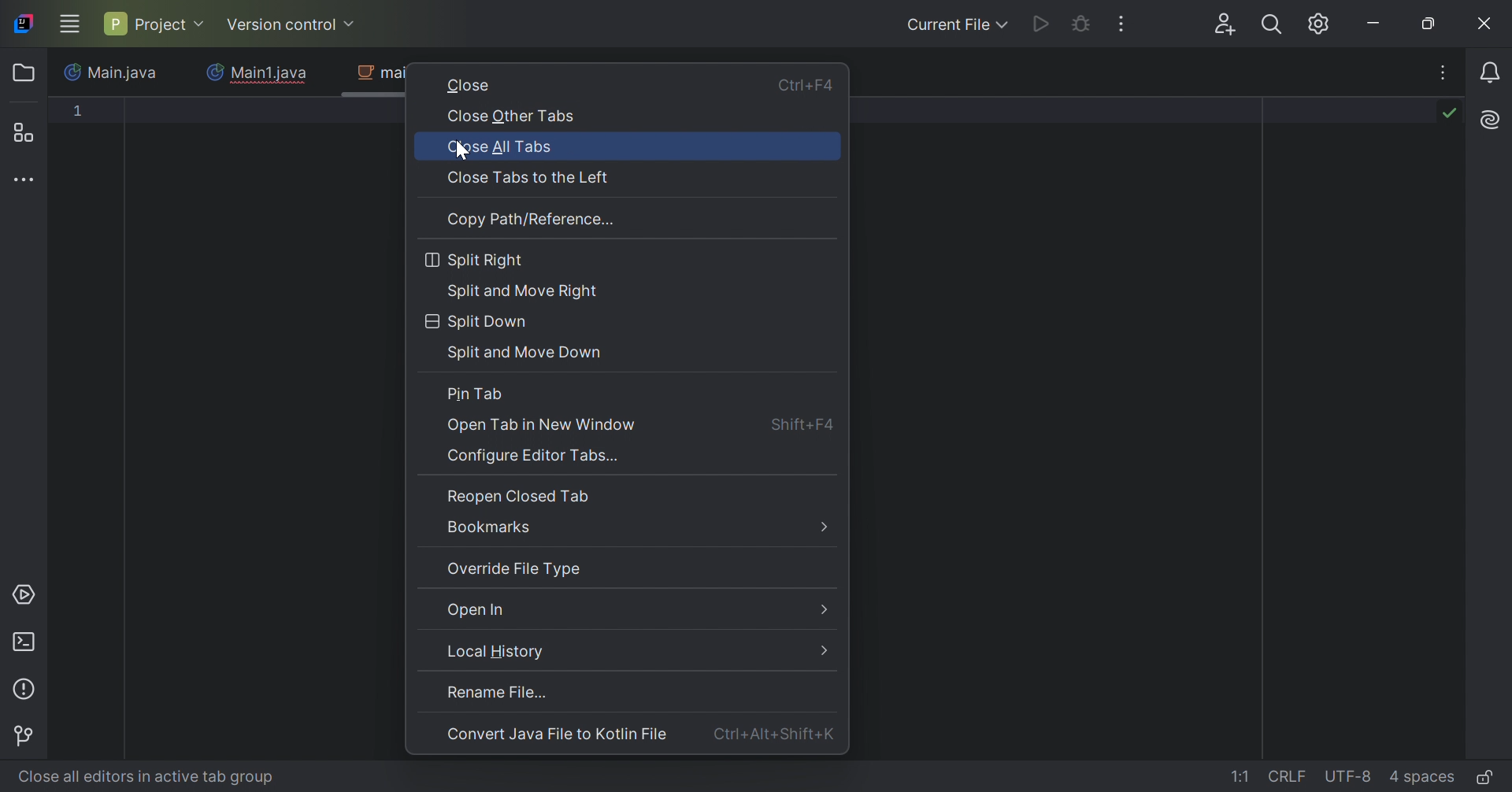  What do you see at coordinates (514, 118) in the screenshot?
I see `Close other tabs` at bounding box center [514, 118].